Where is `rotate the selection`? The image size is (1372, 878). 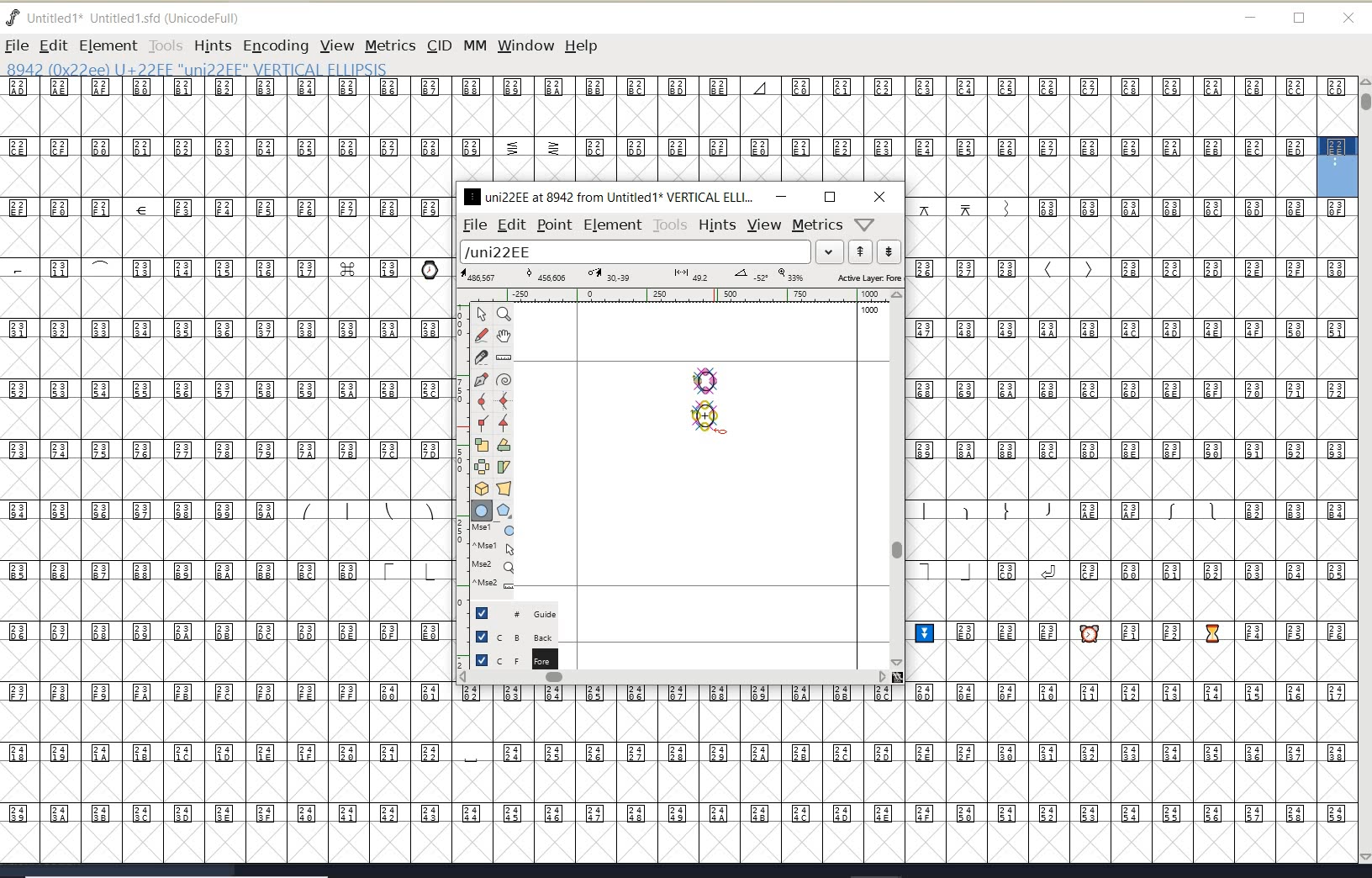 rotate the selection is located at coordinates (504, 445).